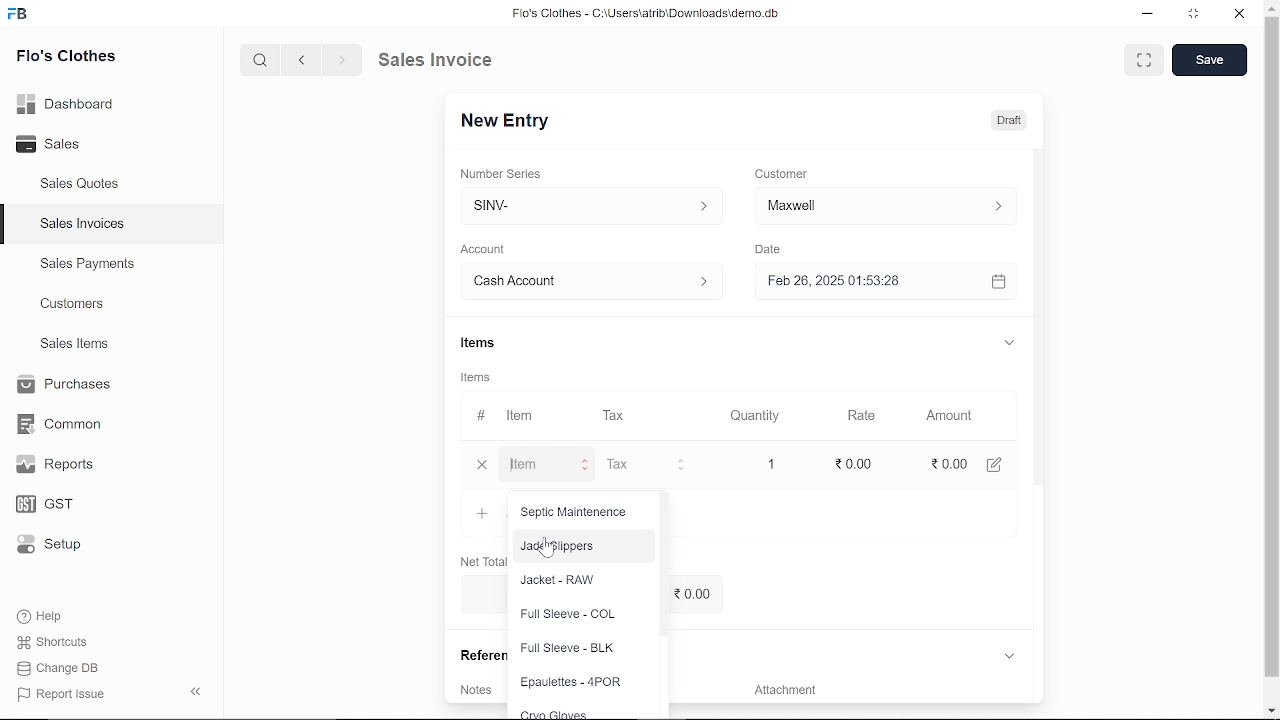 The width and height of the screenshot is (1280, 720). I want to click on vertical scrollbar, so click(663, 569).